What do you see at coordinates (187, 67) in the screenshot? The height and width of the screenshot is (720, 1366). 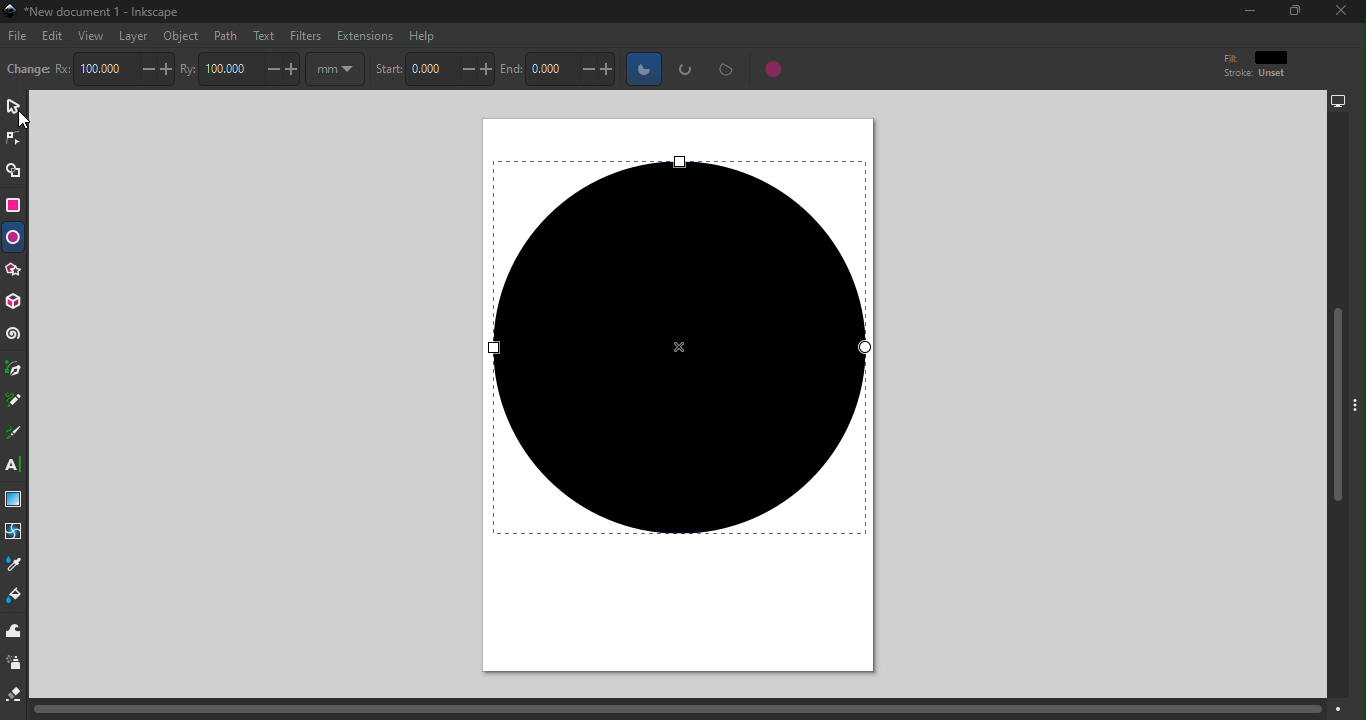 I see `Ry` at bounding box center [187, 67].